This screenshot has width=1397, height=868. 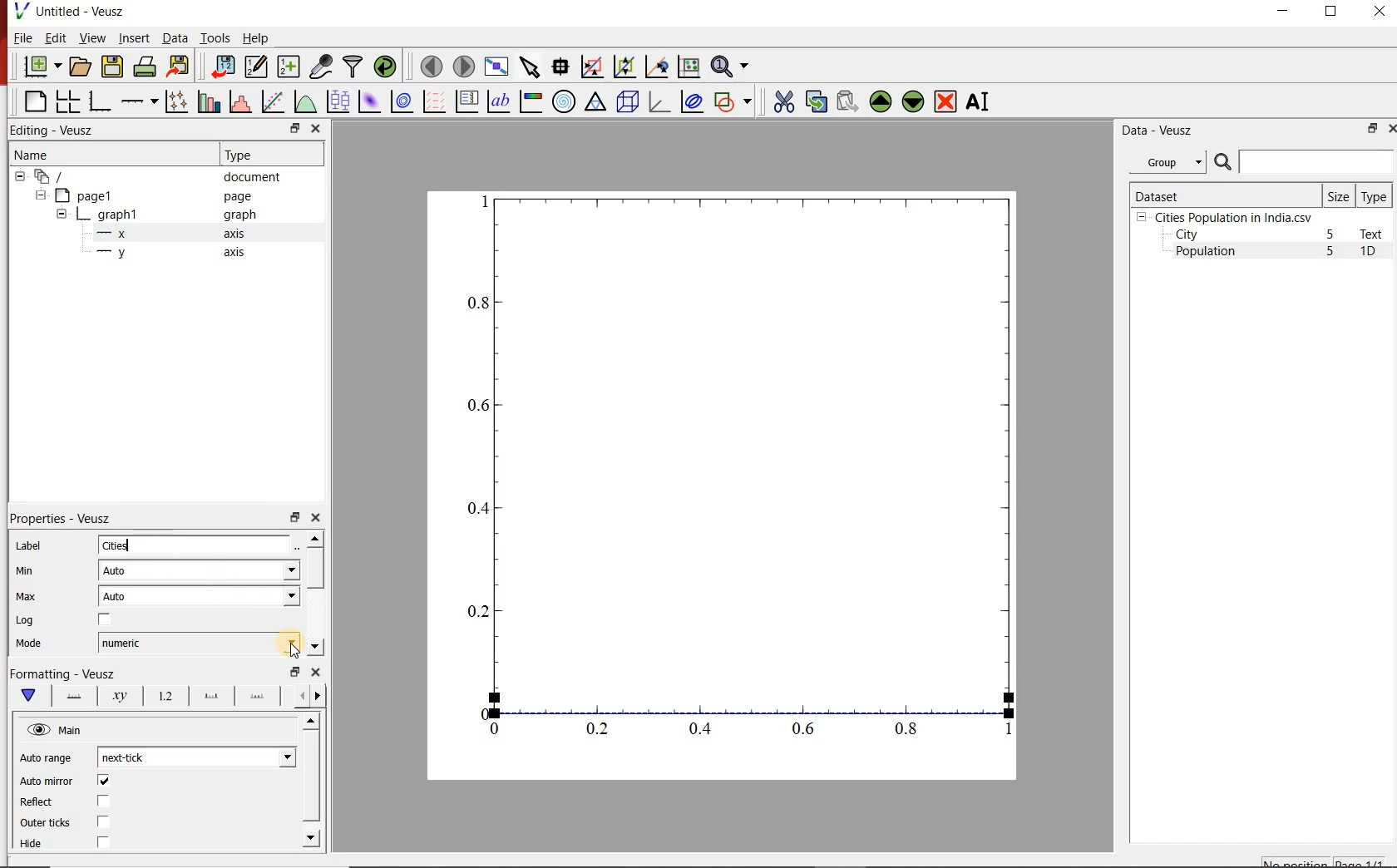 I want to click on Mode, so click(x=33, y=644).